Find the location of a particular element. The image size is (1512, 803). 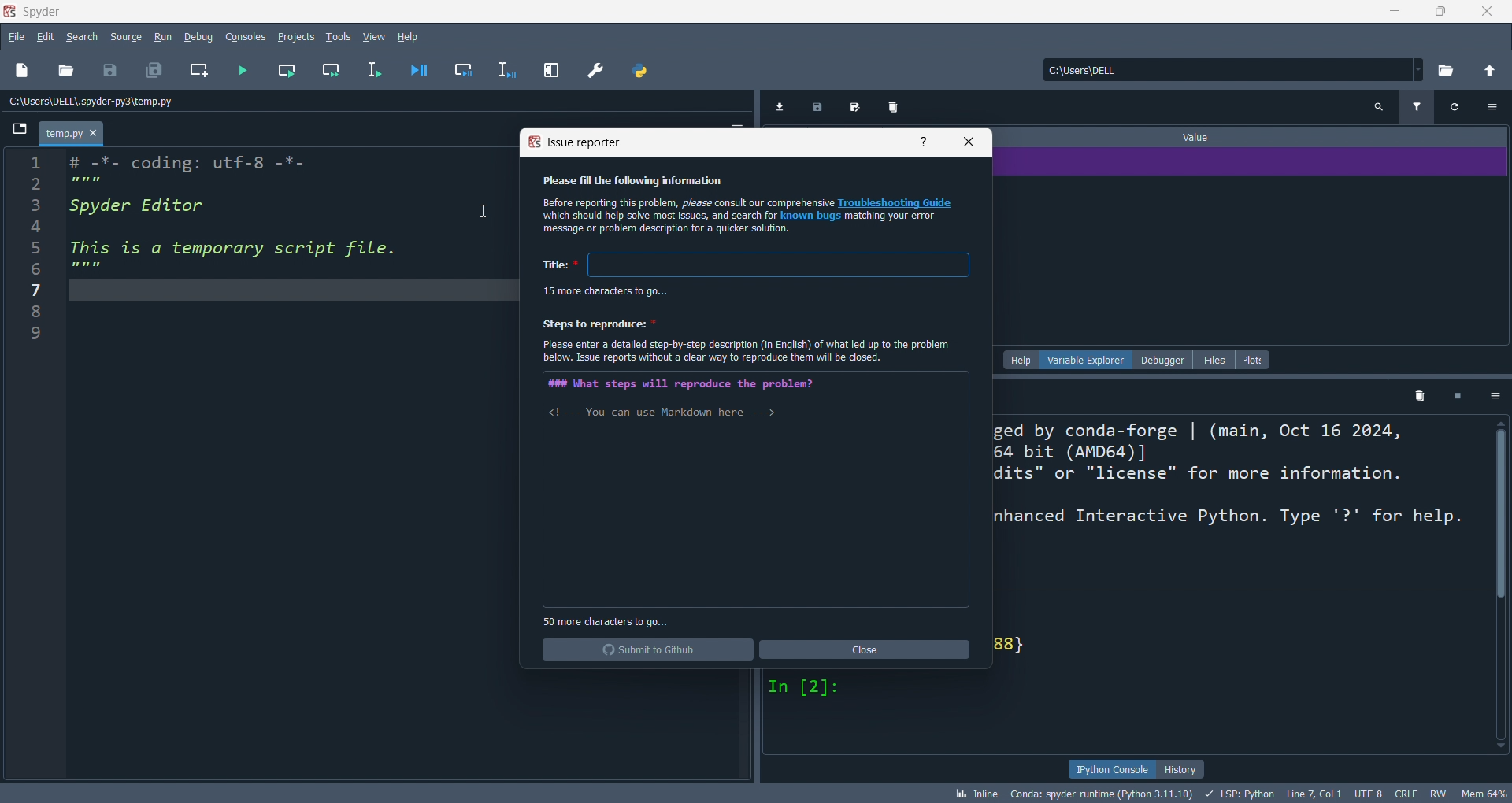

Title is located at coordinates (758, 265).